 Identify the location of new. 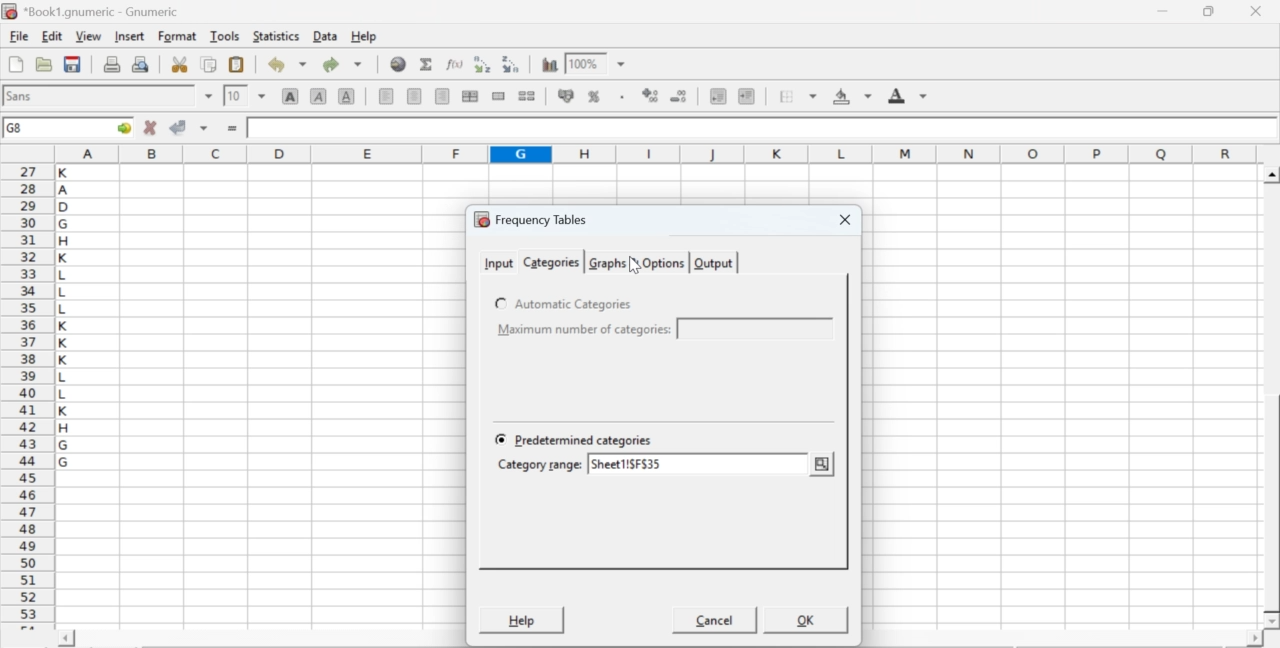
(15, 64).